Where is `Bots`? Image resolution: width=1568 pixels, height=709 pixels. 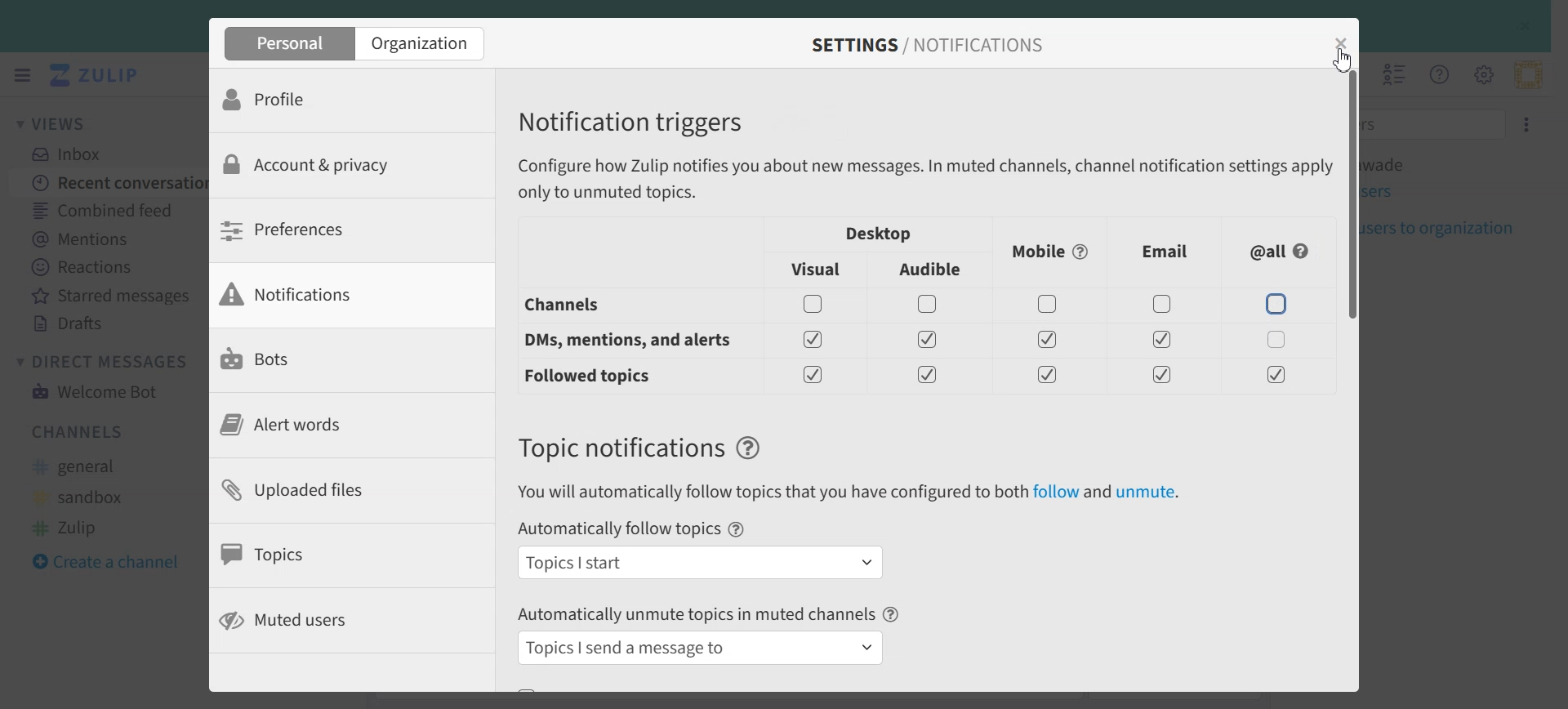 Bots is located at coordinates (332, 359).